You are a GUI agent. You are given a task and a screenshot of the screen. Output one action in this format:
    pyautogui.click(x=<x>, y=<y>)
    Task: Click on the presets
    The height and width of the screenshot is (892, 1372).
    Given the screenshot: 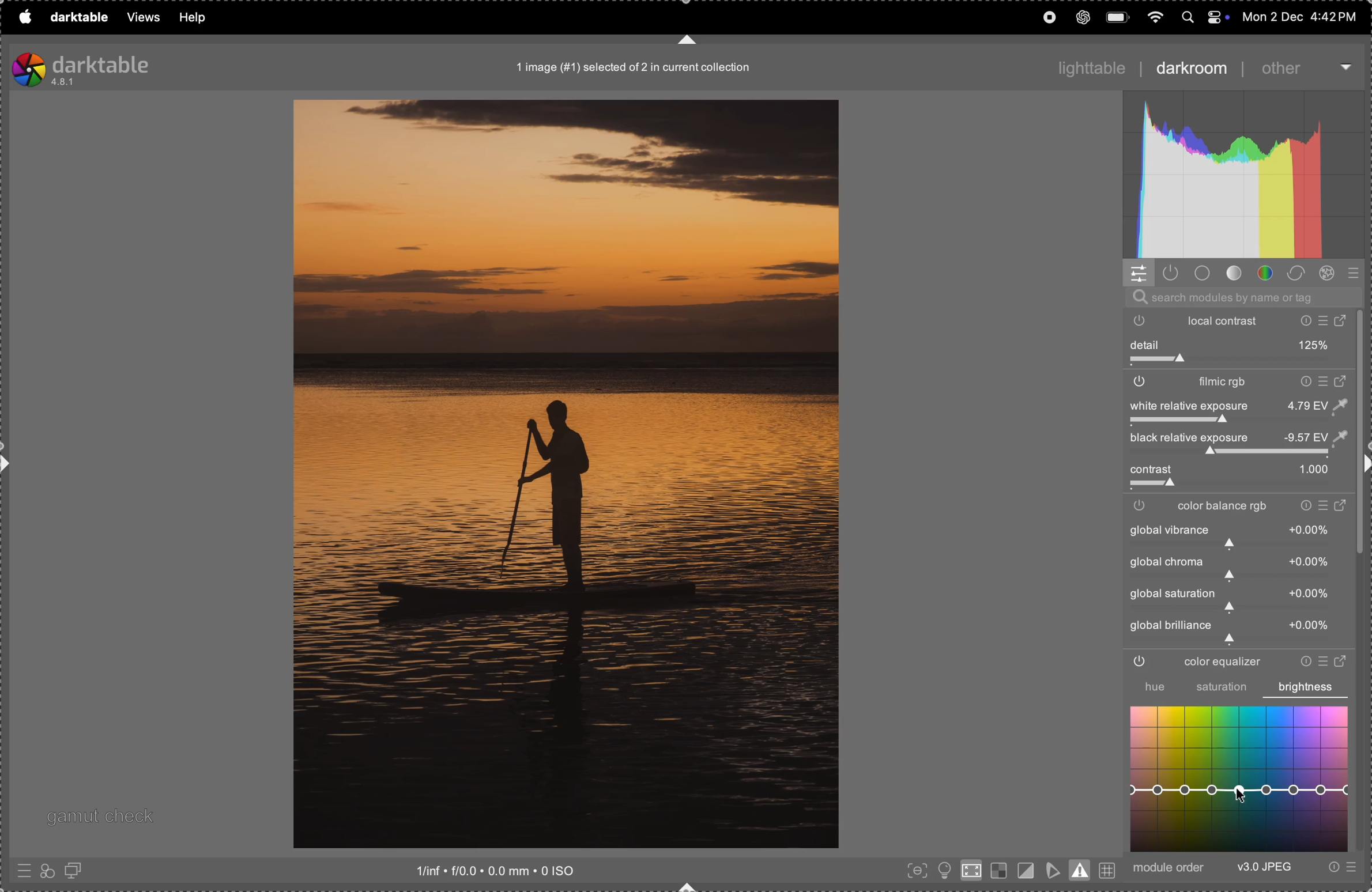 What is the action you would take?
    pyautogui.click(x=1340, y=868)
    